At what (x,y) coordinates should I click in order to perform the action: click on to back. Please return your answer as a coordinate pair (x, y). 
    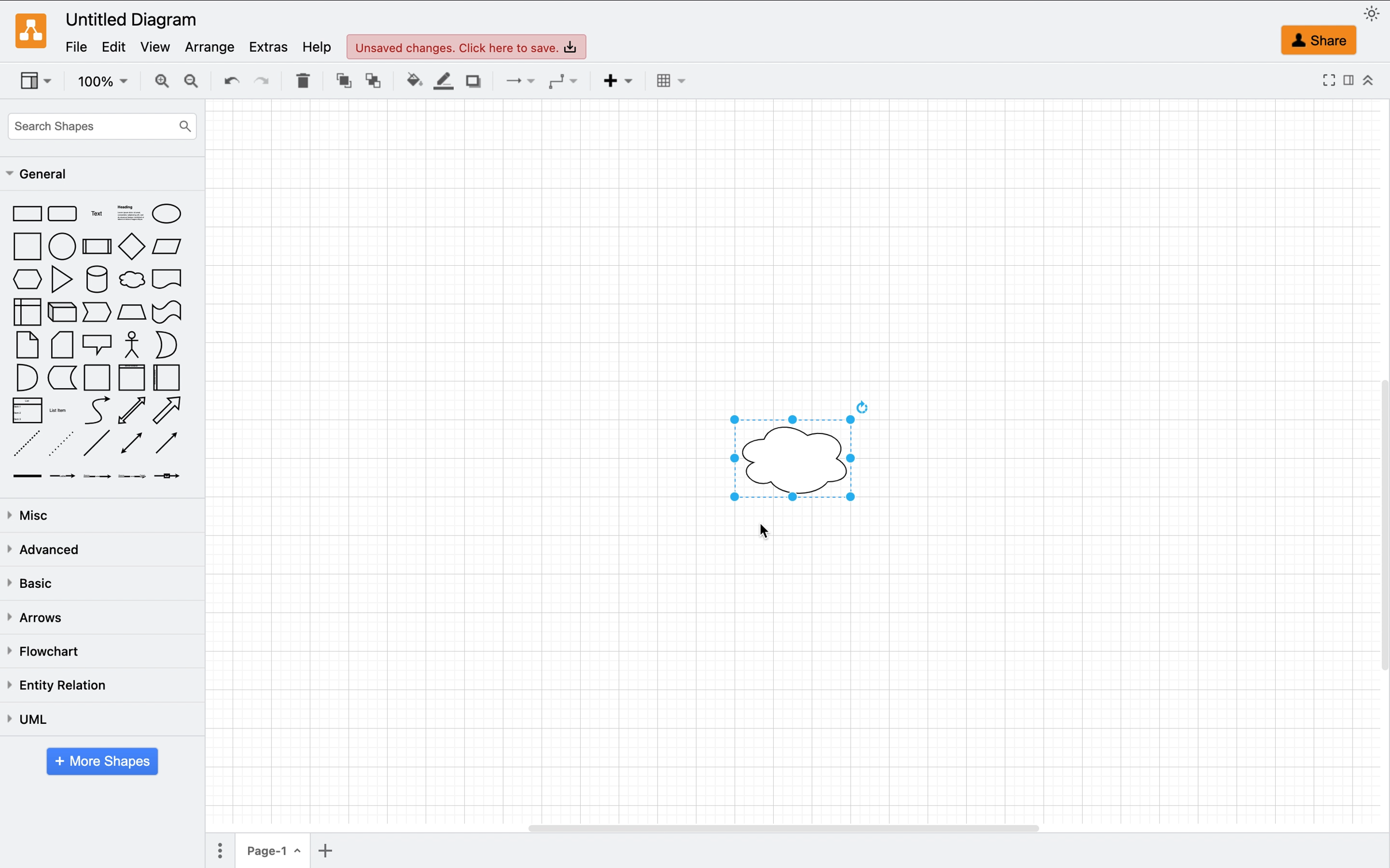
    Looking at the image, I should click on (373, 81).